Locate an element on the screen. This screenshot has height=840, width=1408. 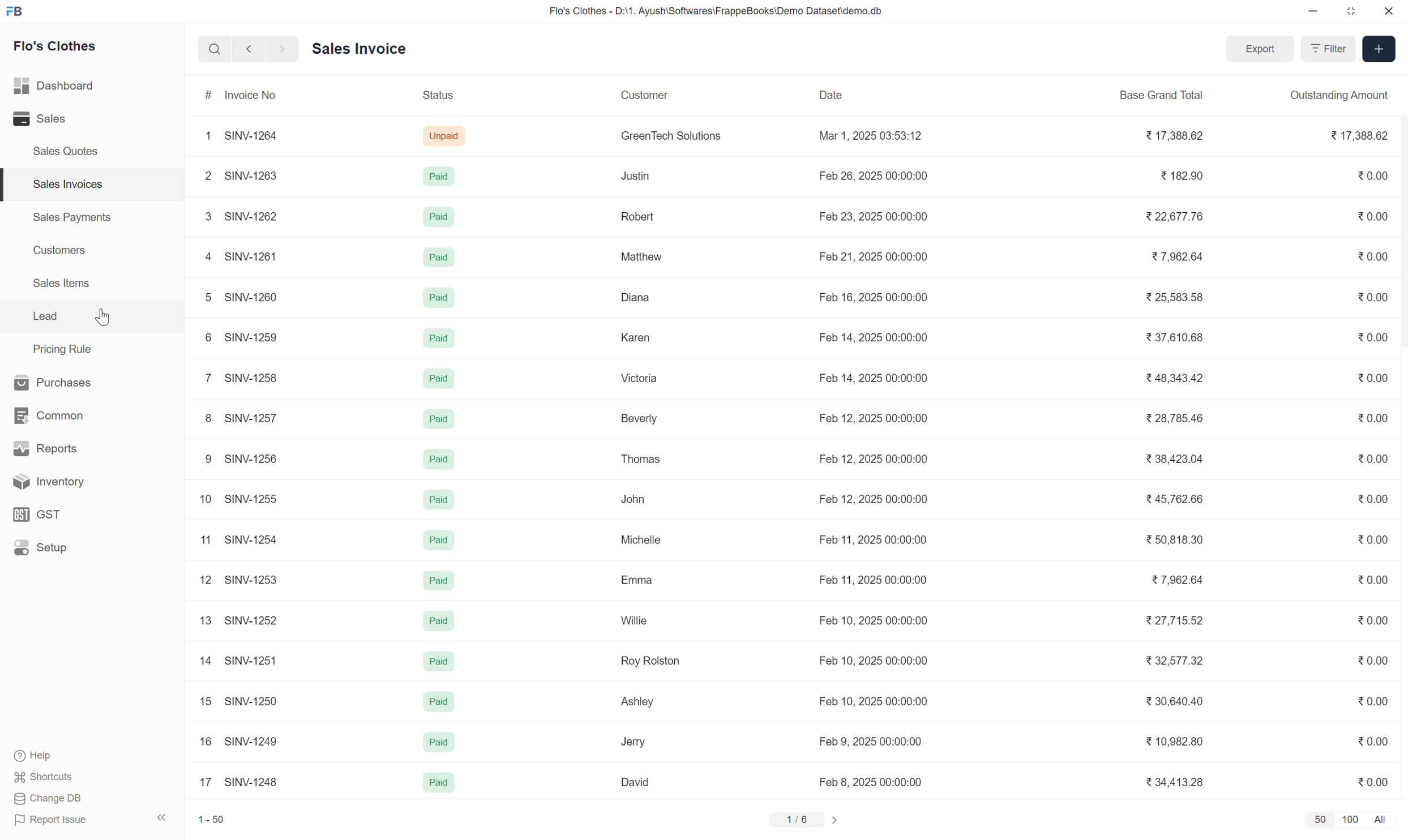
Feb 9, 2025 00:00:00 is located at coordinates (875, 743).